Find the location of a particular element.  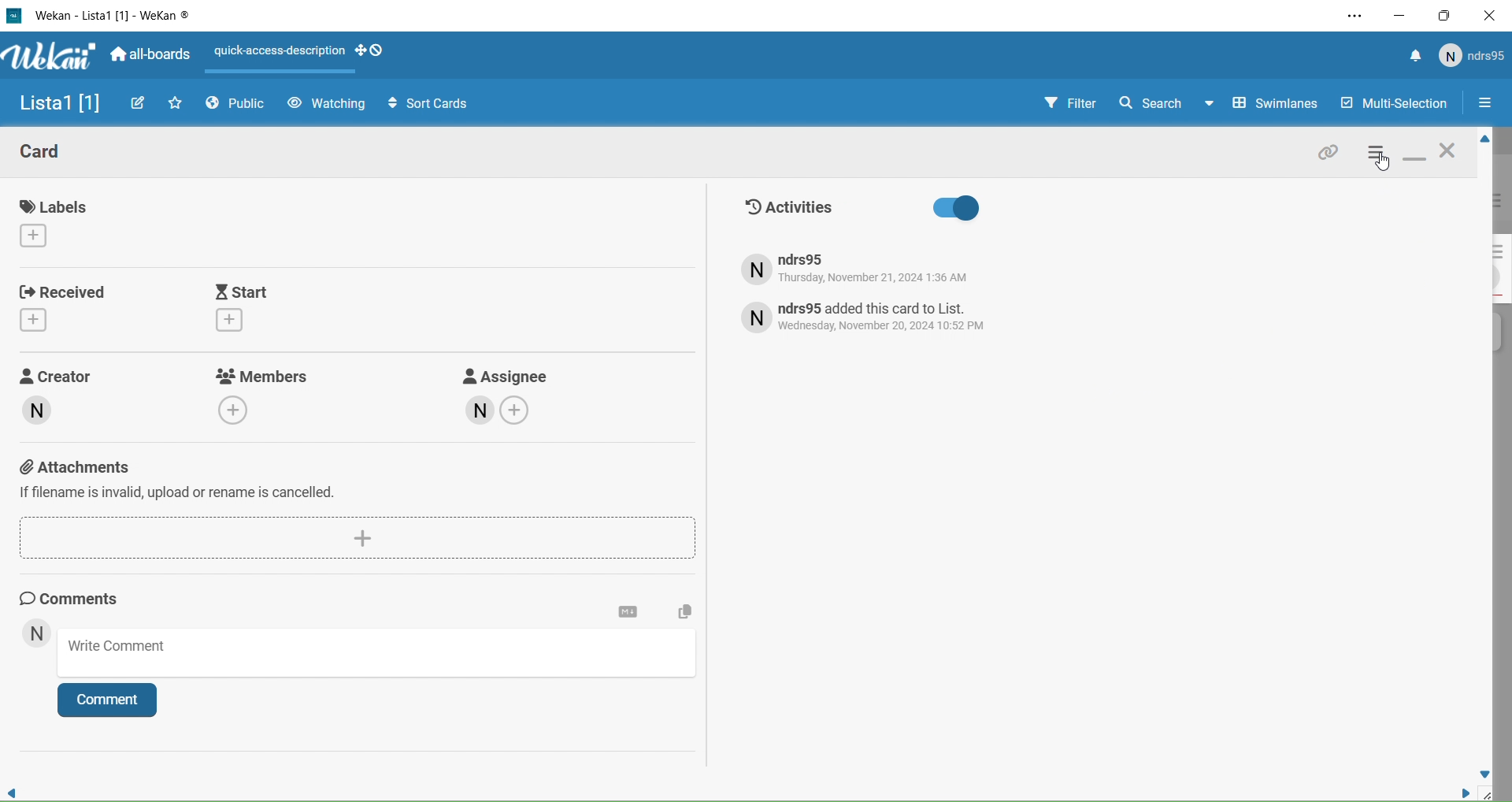

Close is located at coordinates (1488, 17).